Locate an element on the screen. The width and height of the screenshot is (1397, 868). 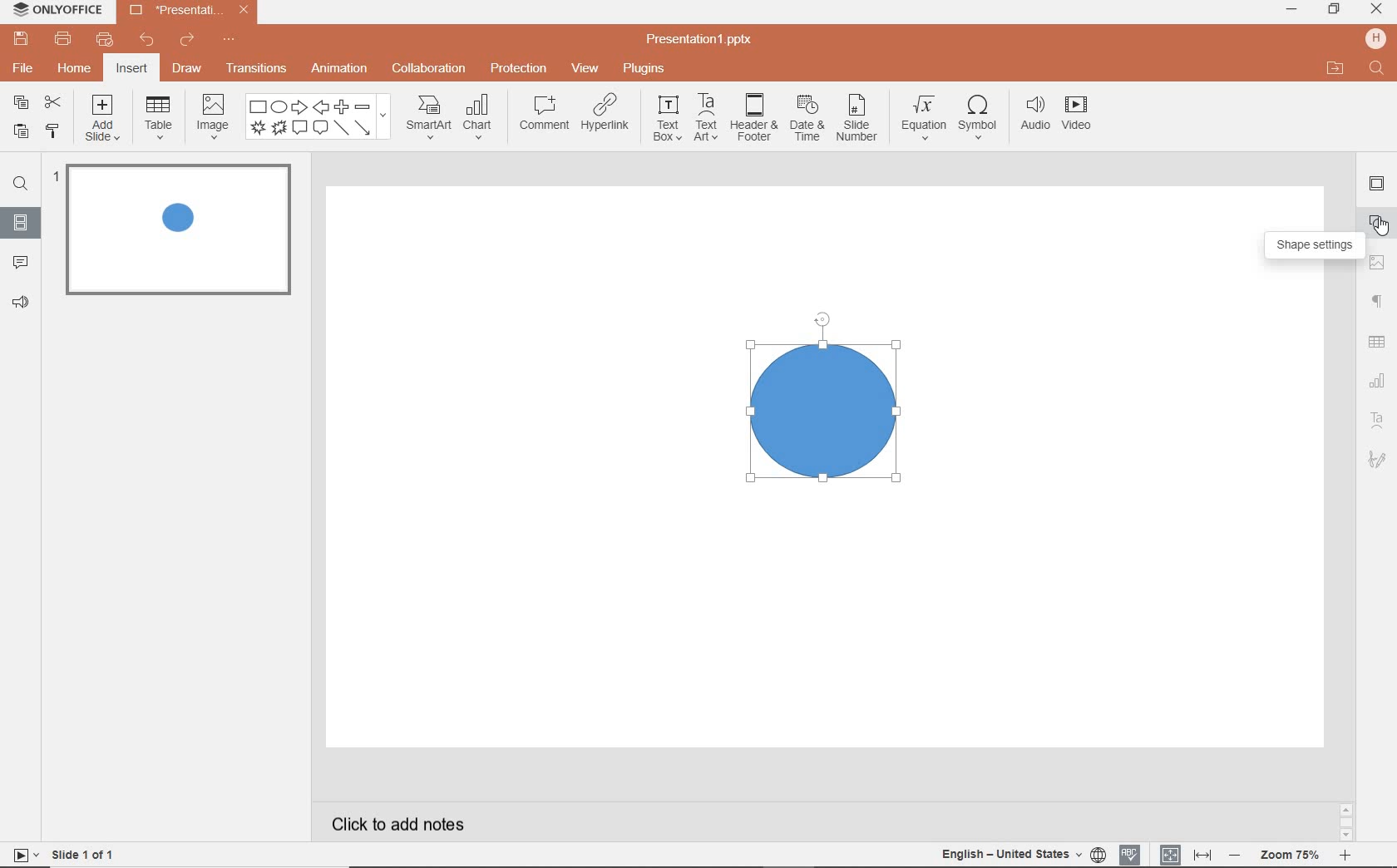
cut is located at coordinates (52, 102).